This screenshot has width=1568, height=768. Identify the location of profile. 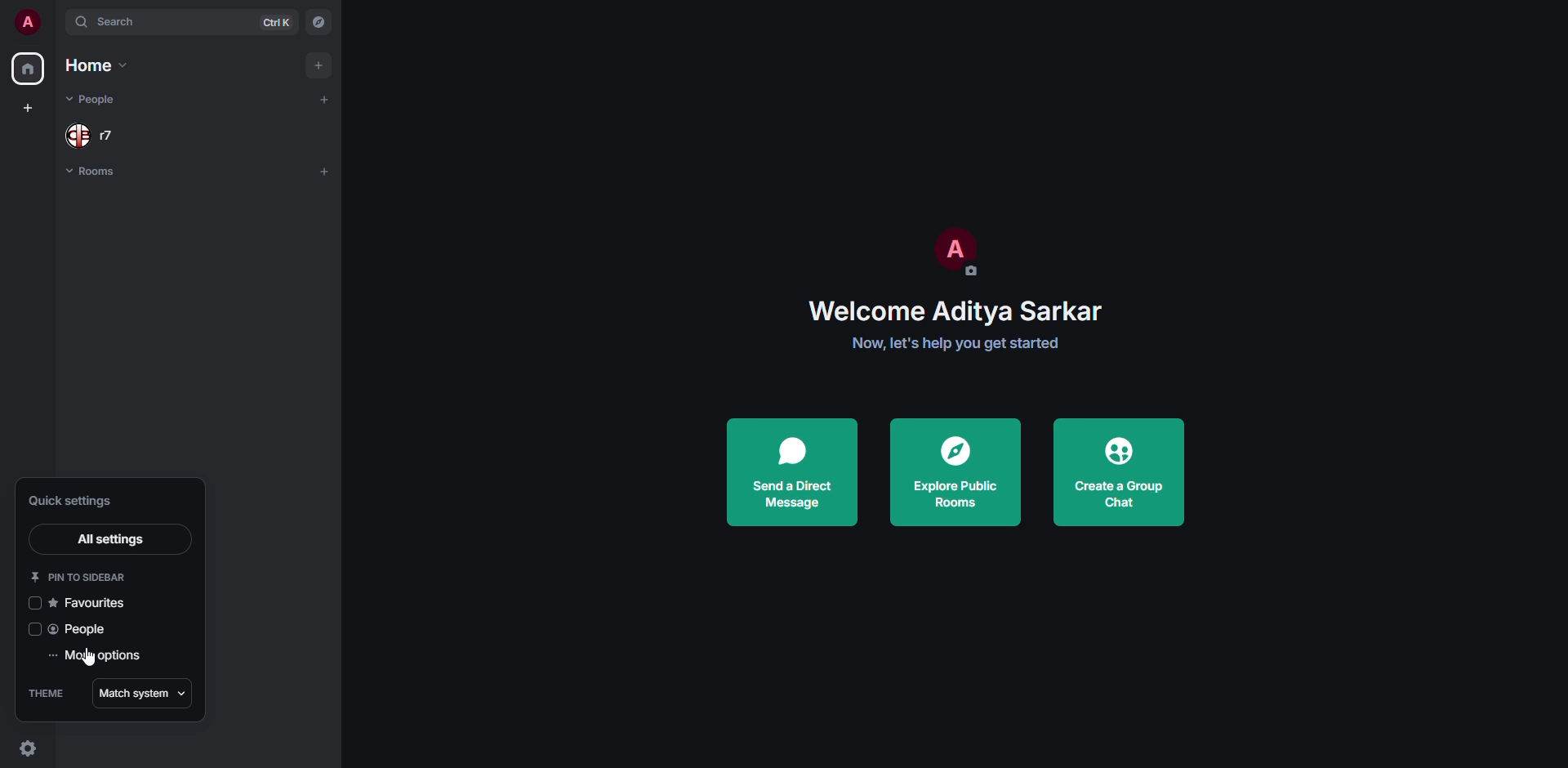
(962, 250).